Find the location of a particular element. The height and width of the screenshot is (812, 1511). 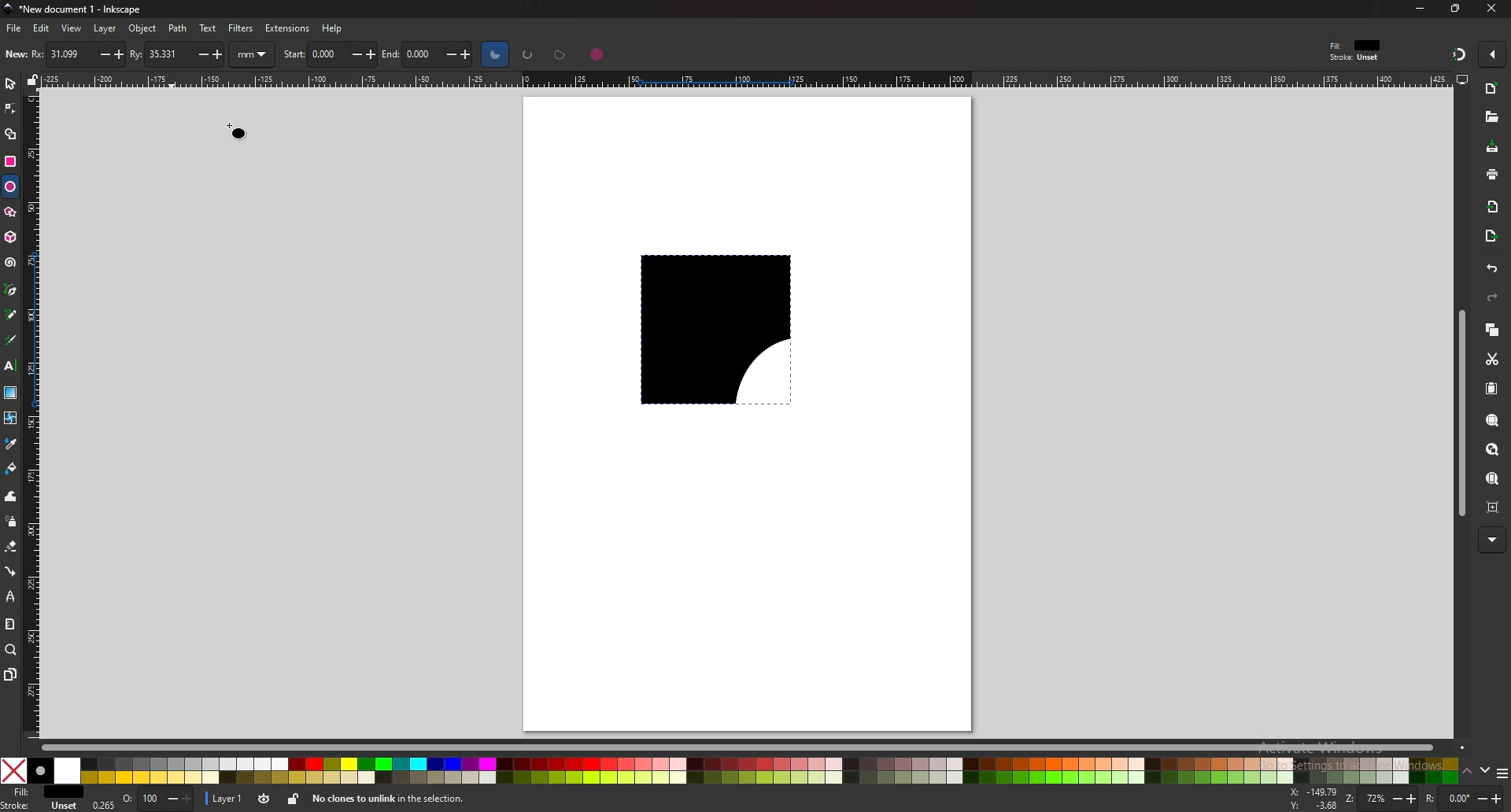

mm is located at coordinates (253, 54).